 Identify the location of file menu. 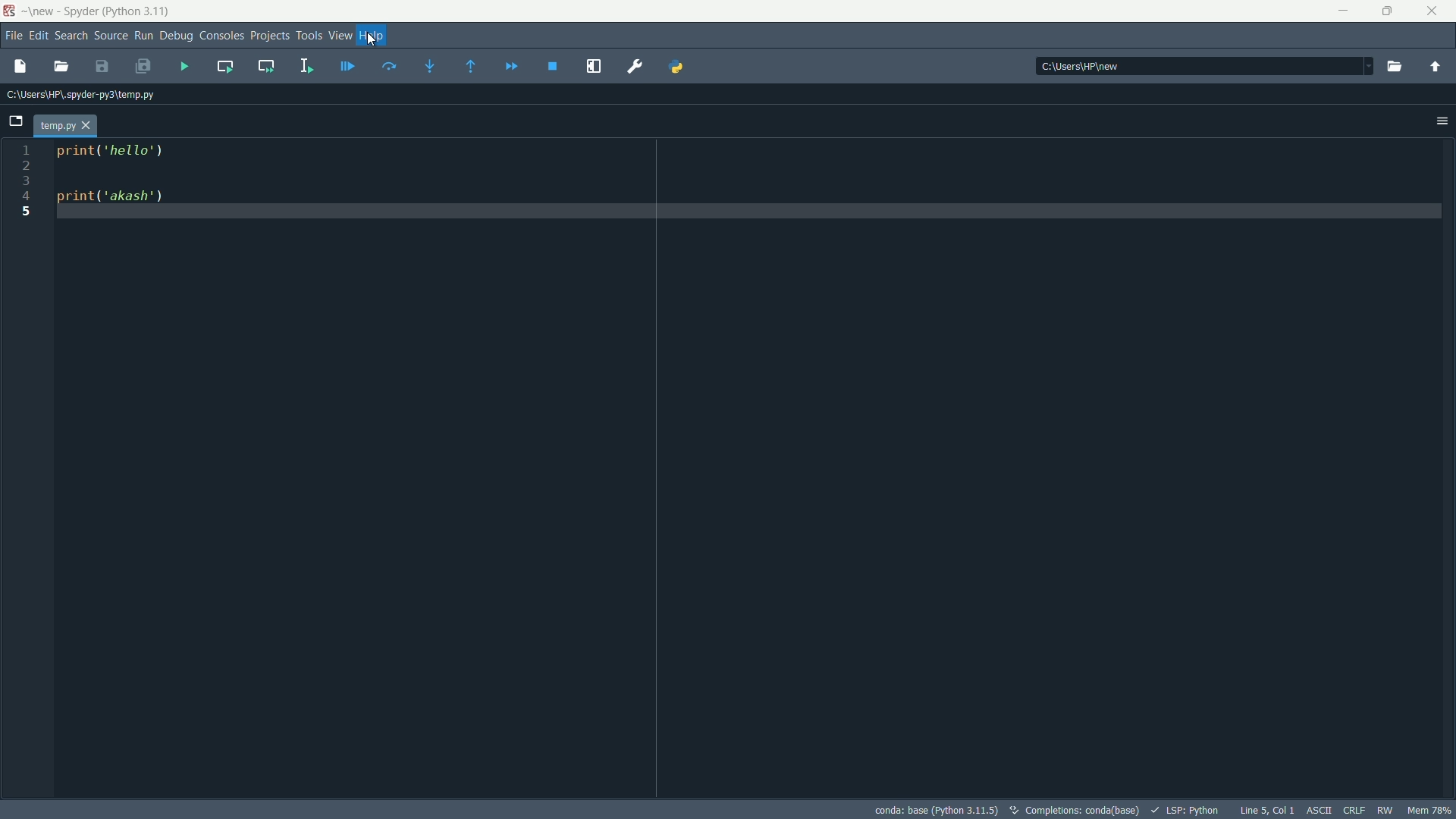
(14, 34).